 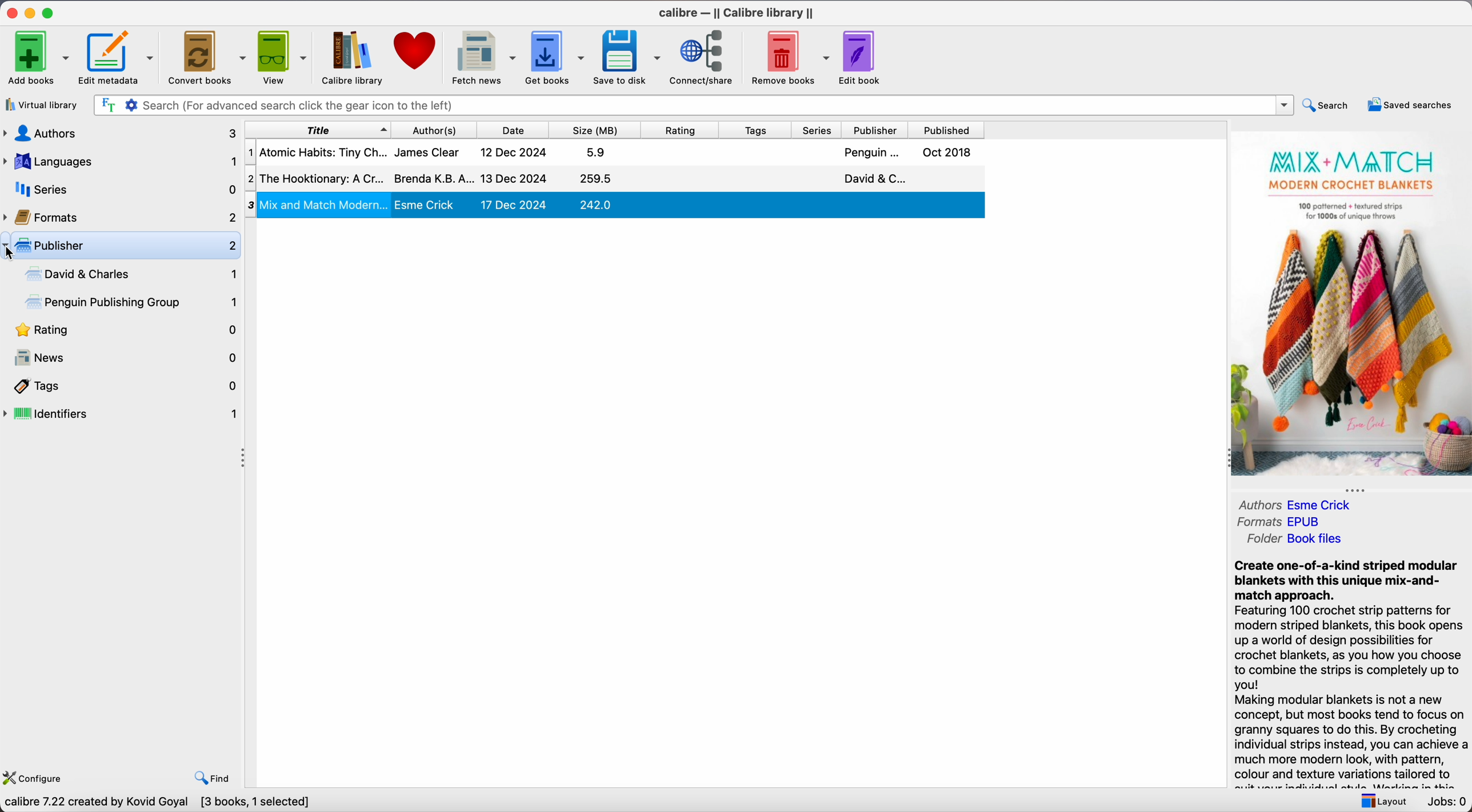 I want to click on title, so click(x=317, y=129).